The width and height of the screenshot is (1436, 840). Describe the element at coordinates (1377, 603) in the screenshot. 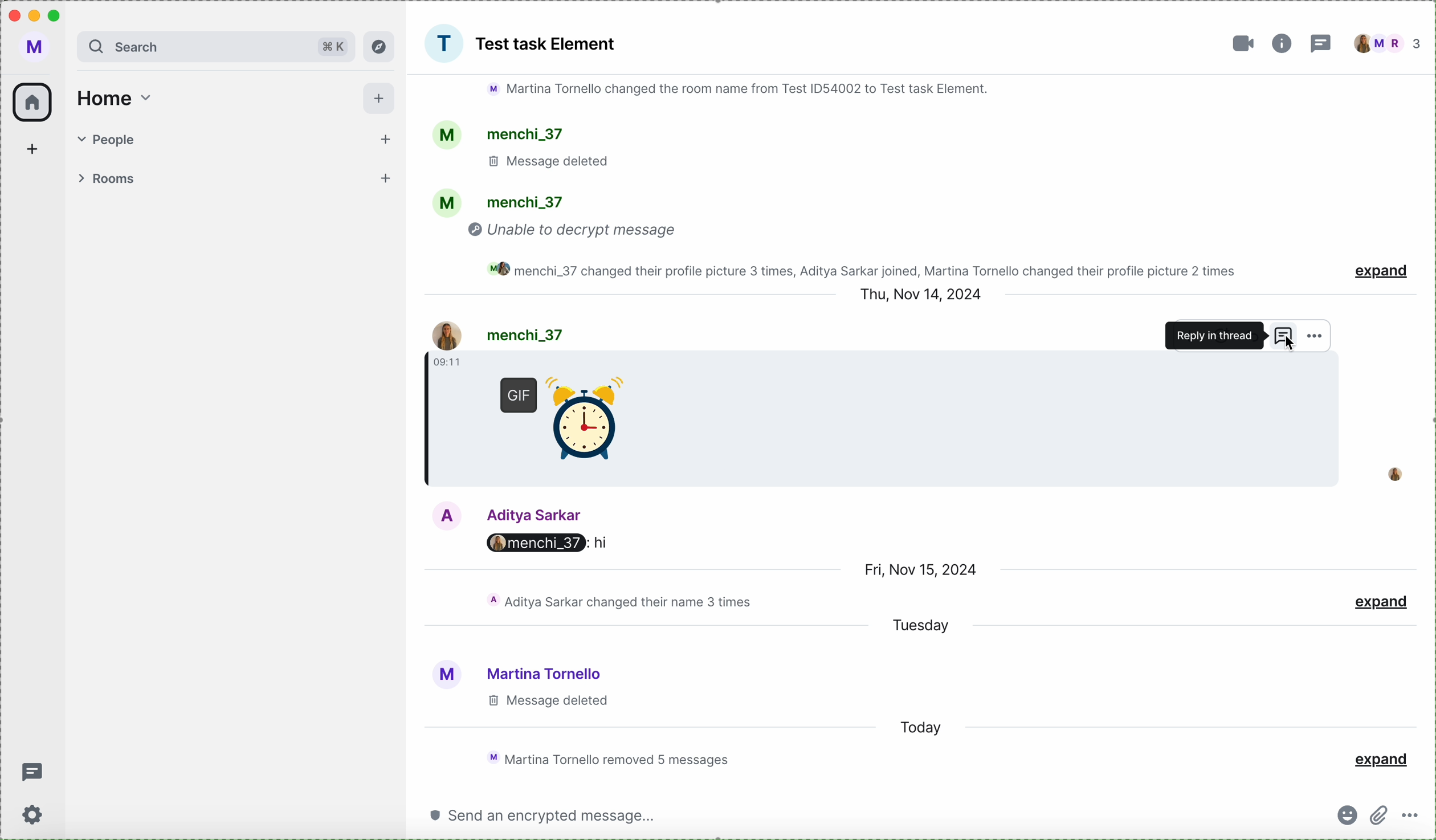

I see `expand` at that location.